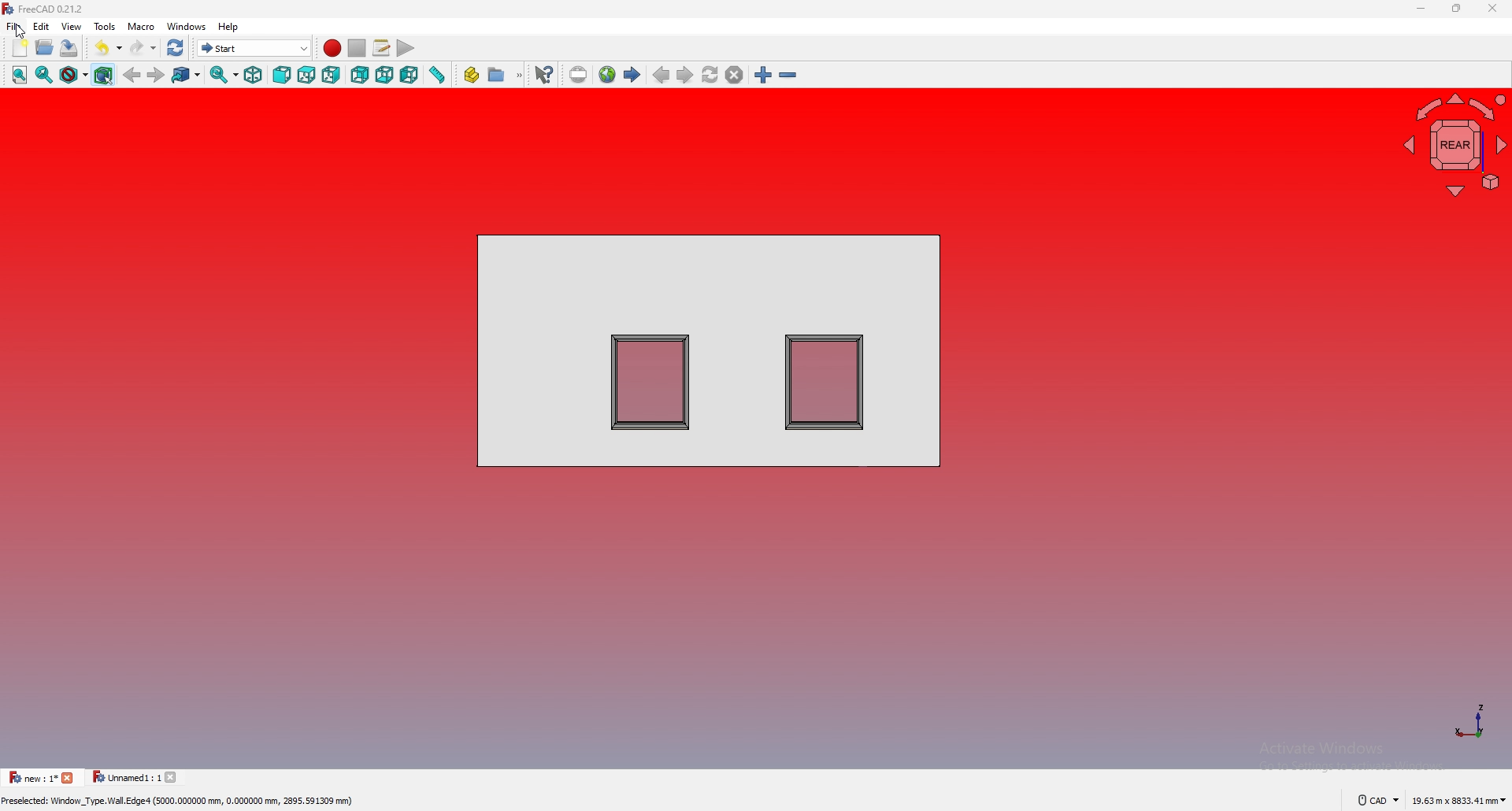 The image size is (1512, 811). What do you see at coordinates (20, 76) in the screenshot?
I see `fit all` at bounding box center [20, 76].